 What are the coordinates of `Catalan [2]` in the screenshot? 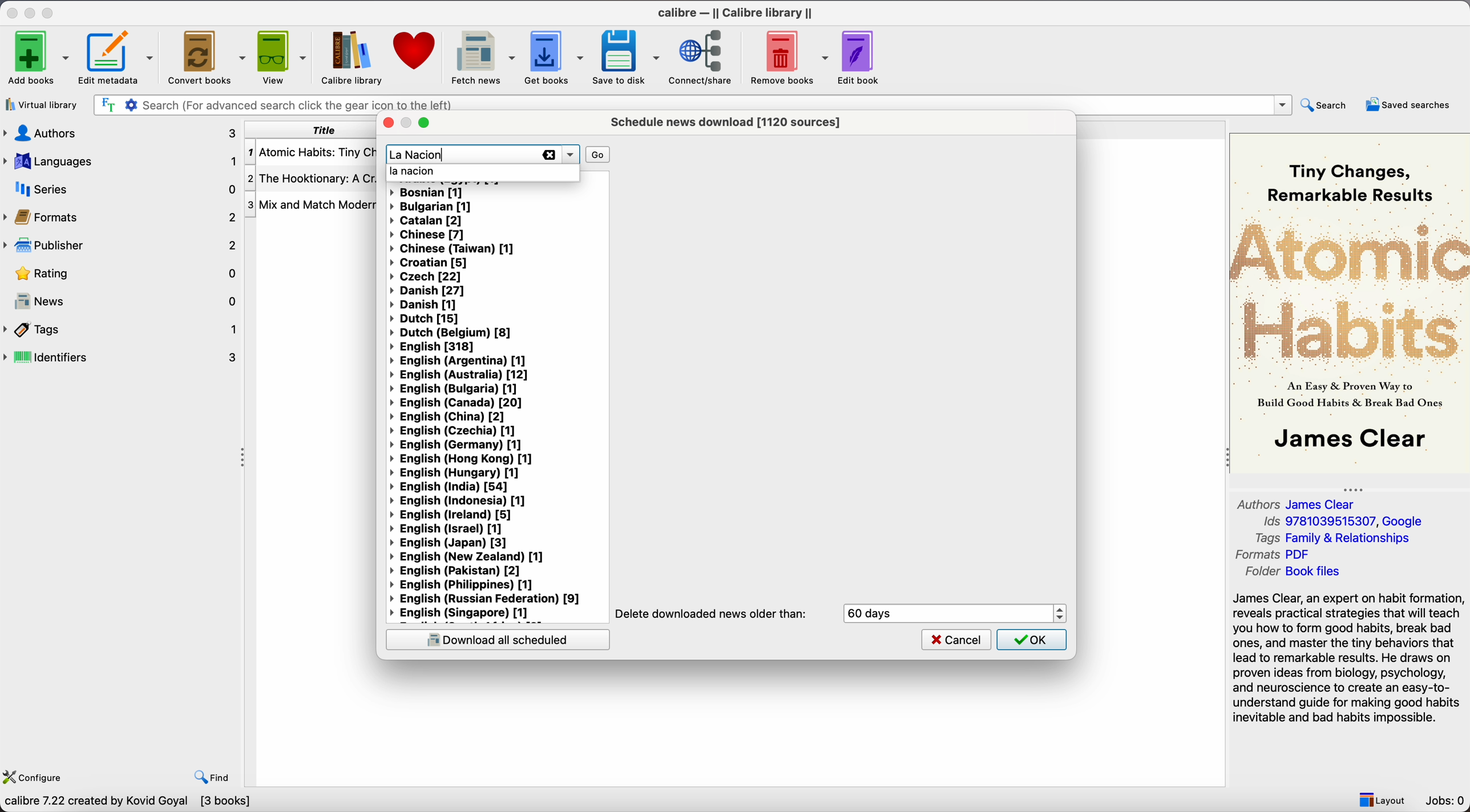 It's located at (428, 220).